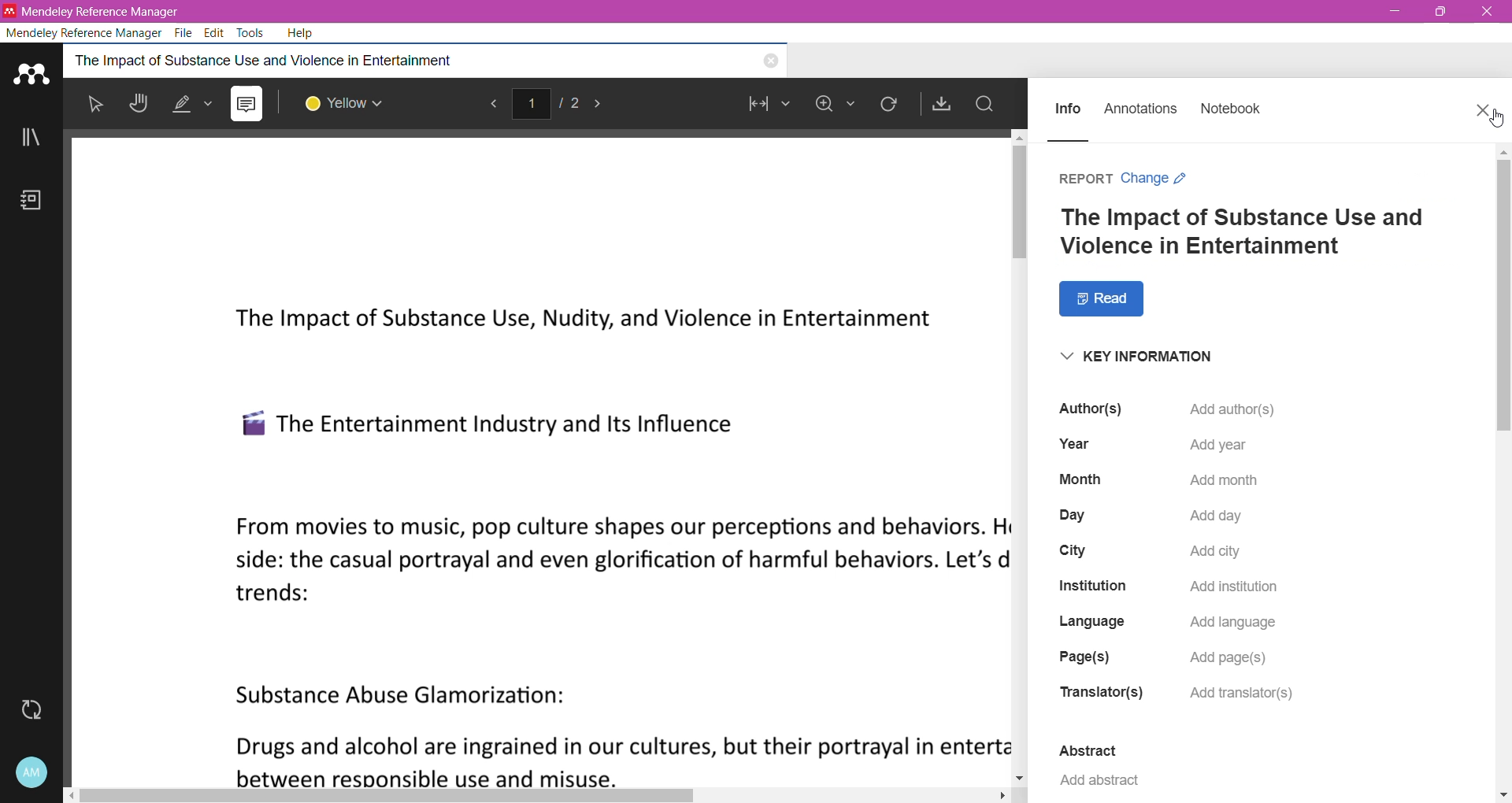 The width and height of the screenshot is (1512, 803). What do you see at coordinates (1098, 620) in the screenshot?
I see `Language` at bounding box center [1098, 620].